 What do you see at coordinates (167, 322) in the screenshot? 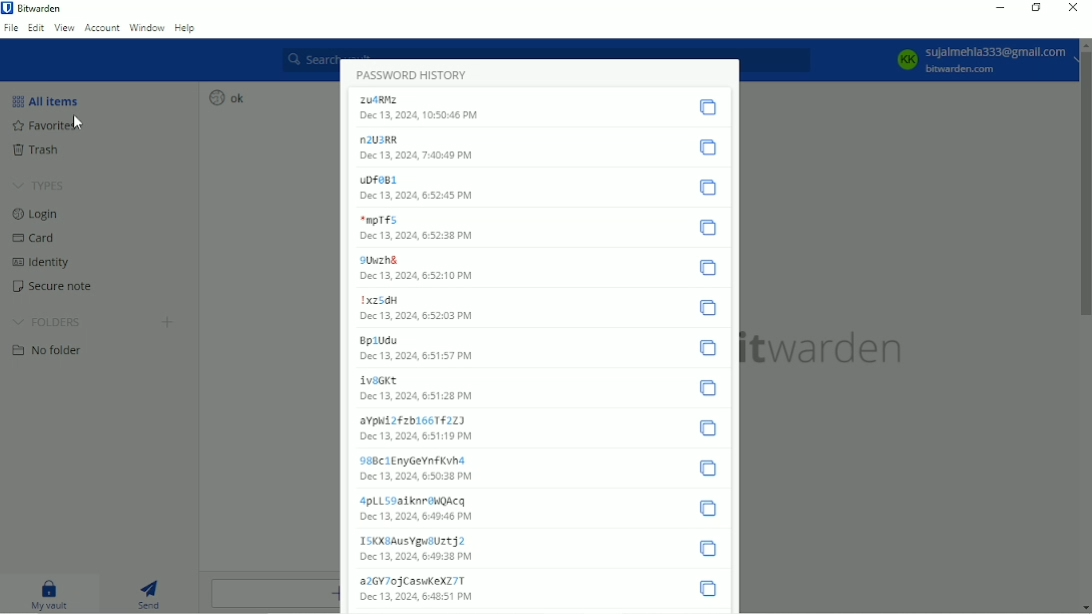
I see `Create folder` at bounding box center [167, 322].